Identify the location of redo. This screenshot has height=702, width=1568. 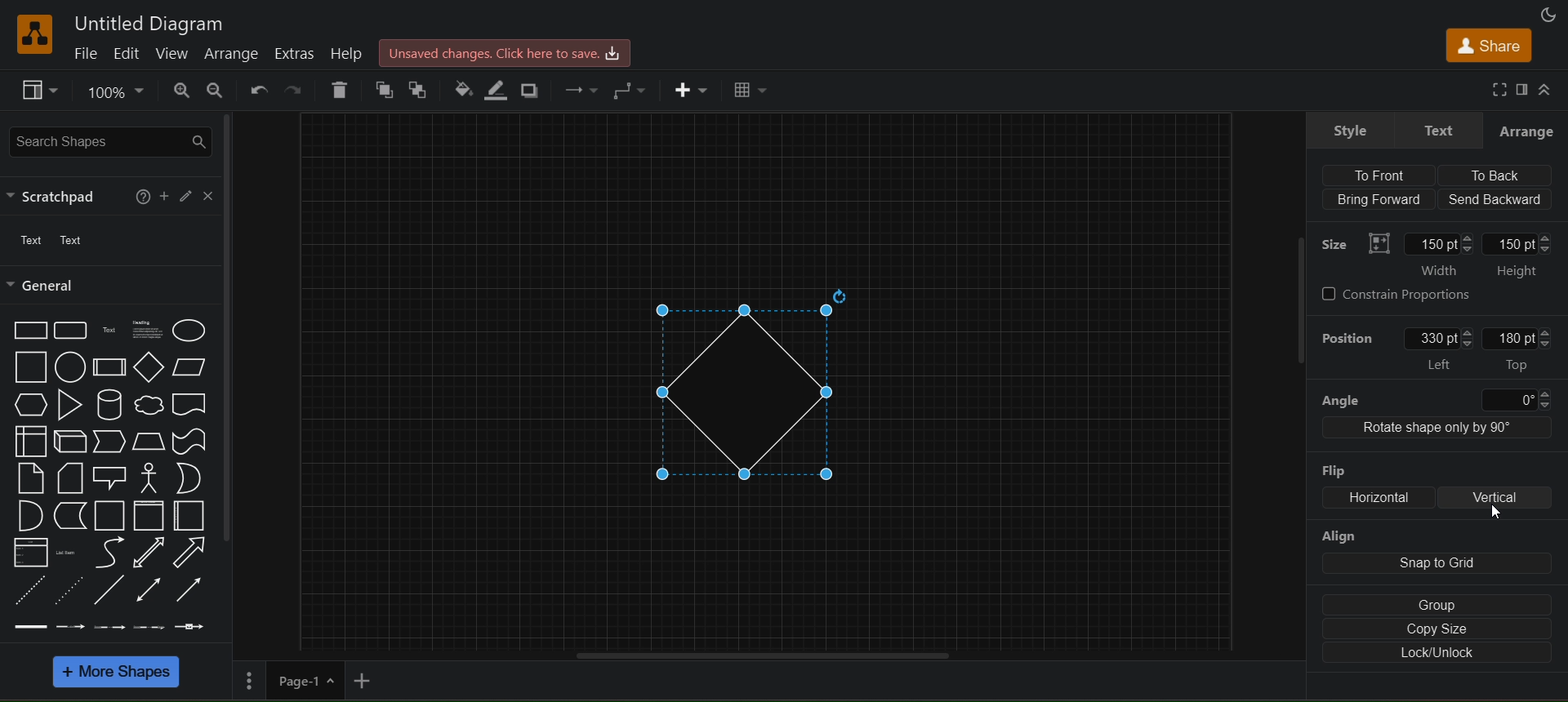
(292, 91).